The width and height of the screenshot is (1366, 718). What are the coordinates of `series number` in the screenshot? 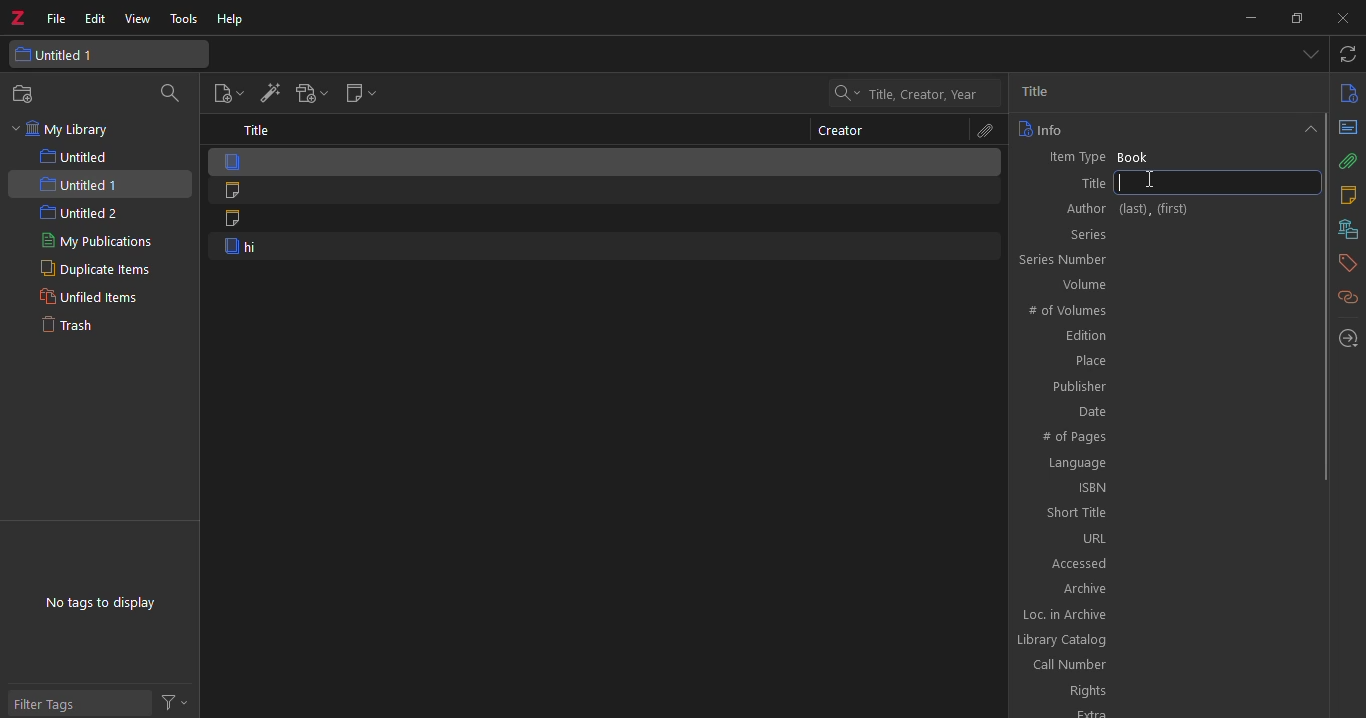 It's located at (1160, 259).